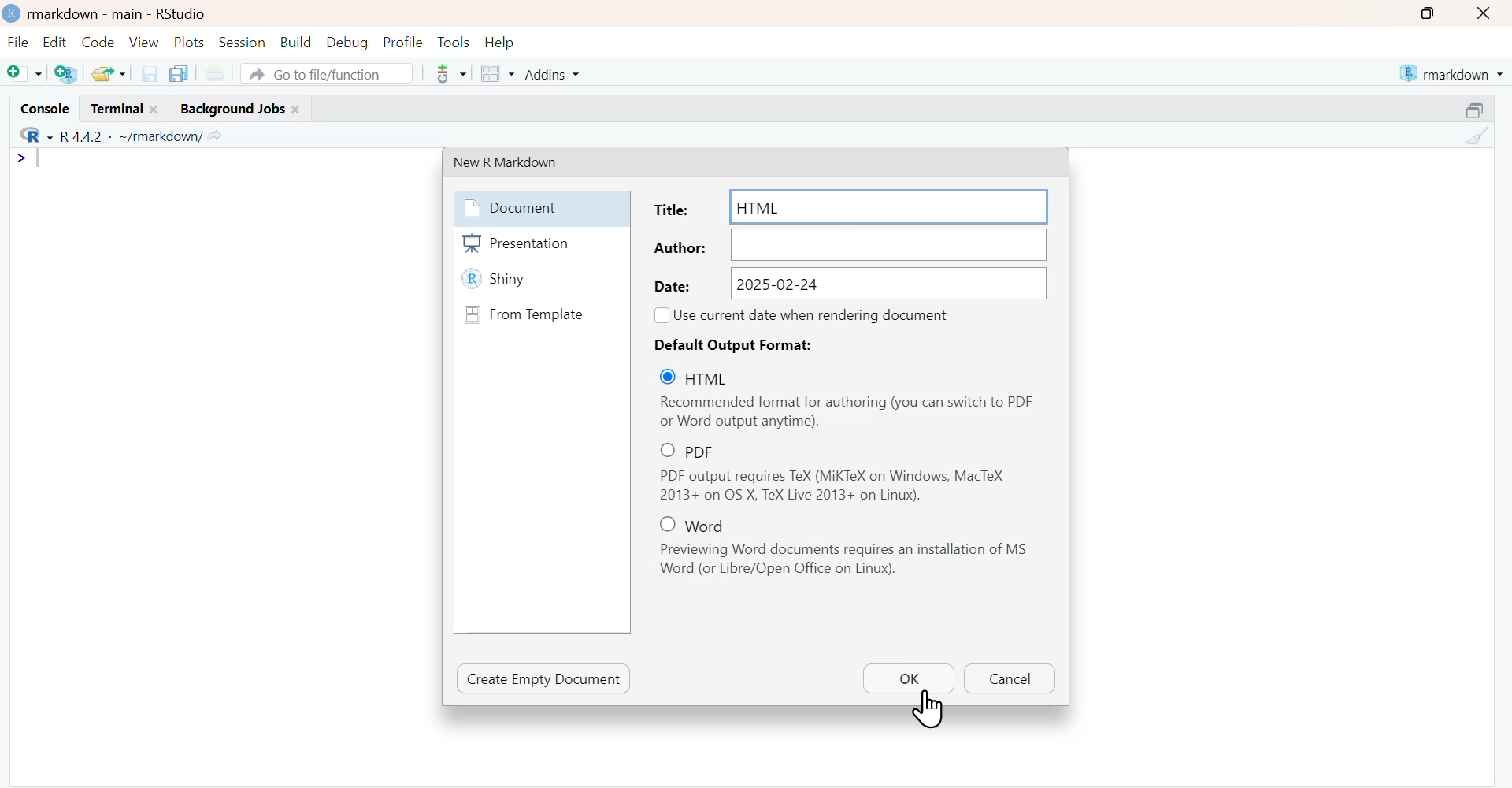  I want to click on open an existing file, so click(108, 72).